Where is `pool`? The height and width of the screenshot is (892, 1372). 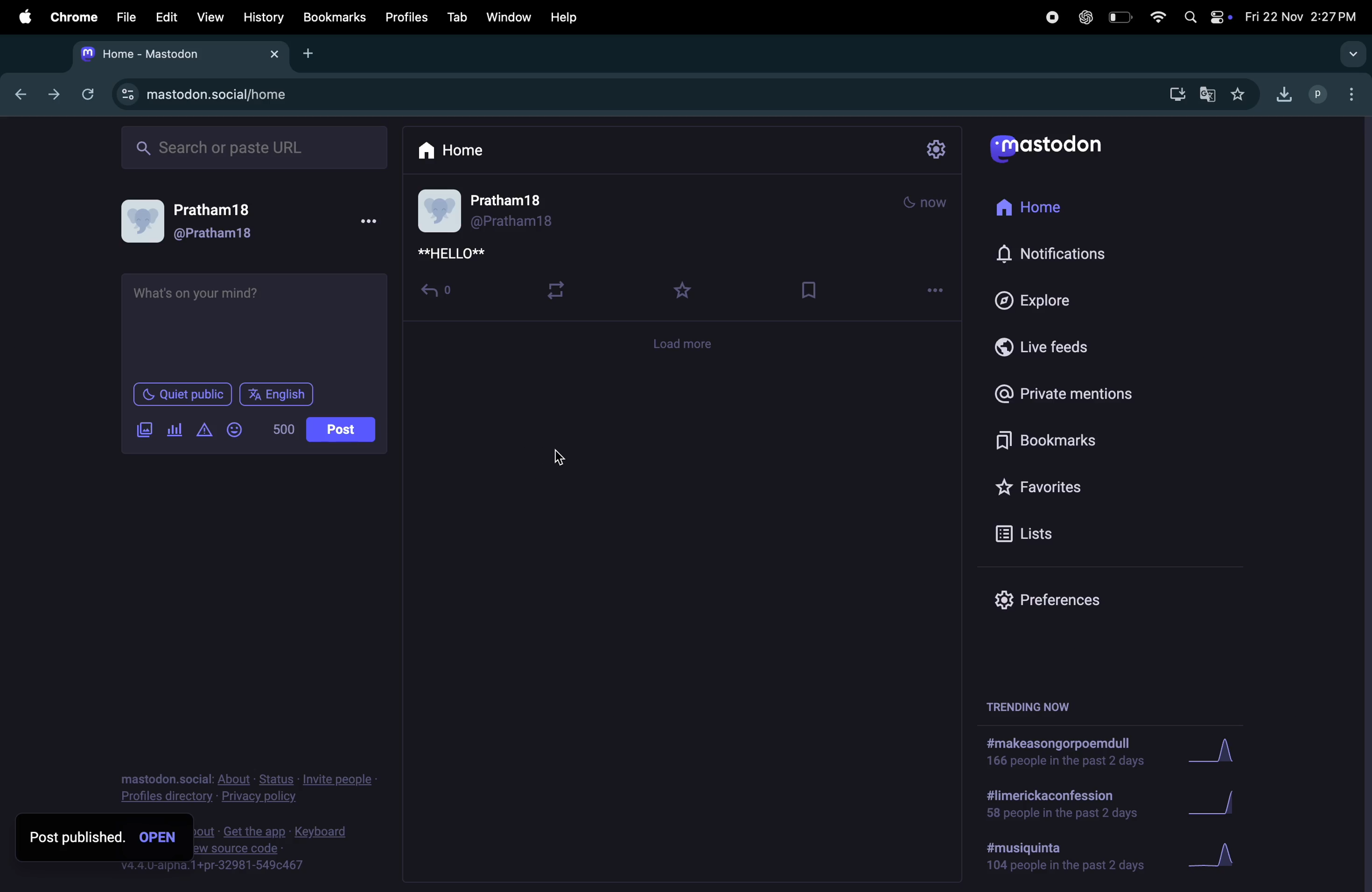
pool is located at coordinates (177, 429).